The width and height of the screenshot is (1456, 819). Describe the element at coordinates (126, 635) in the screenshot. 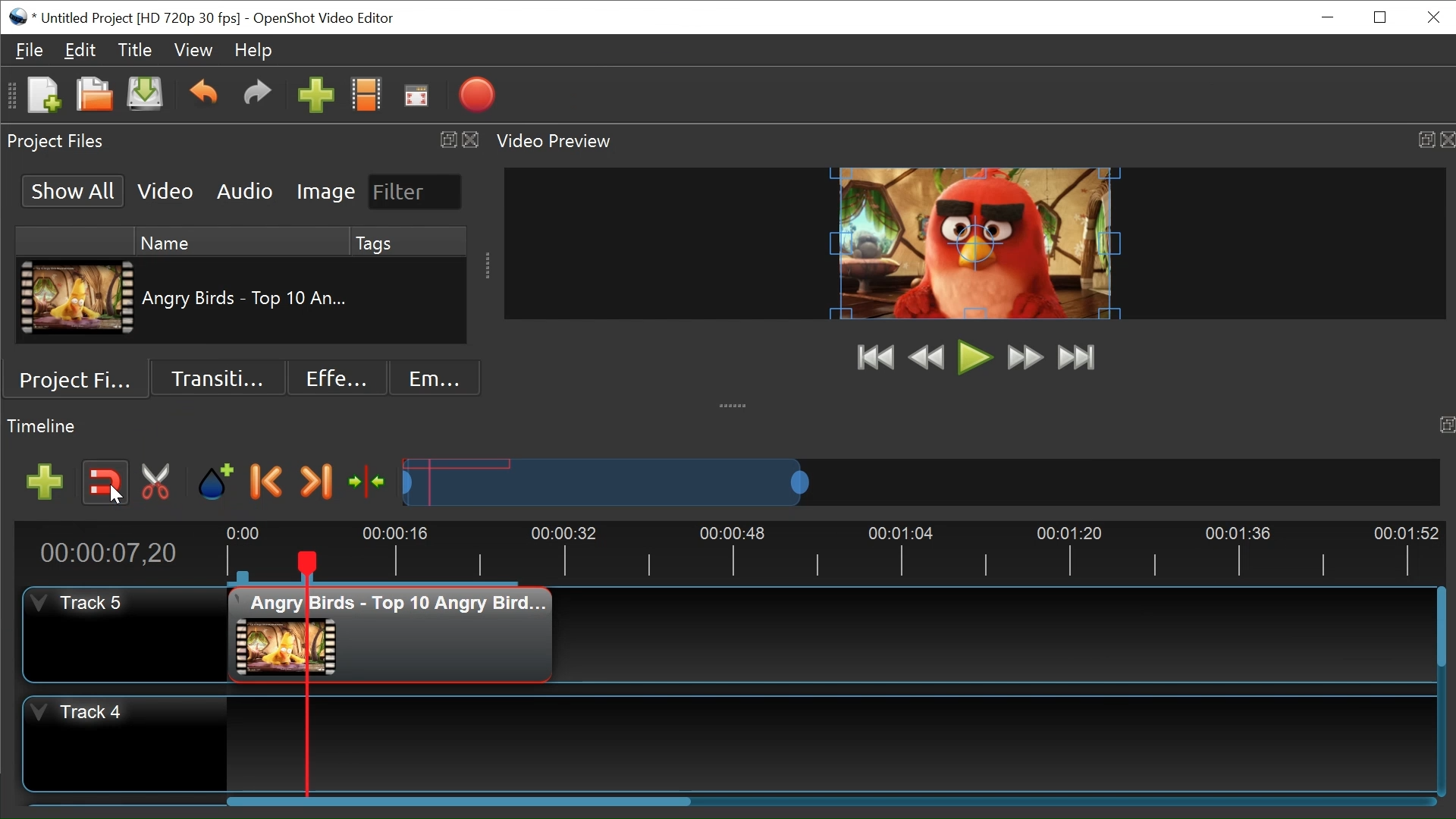

I see `Track Header` at that location.